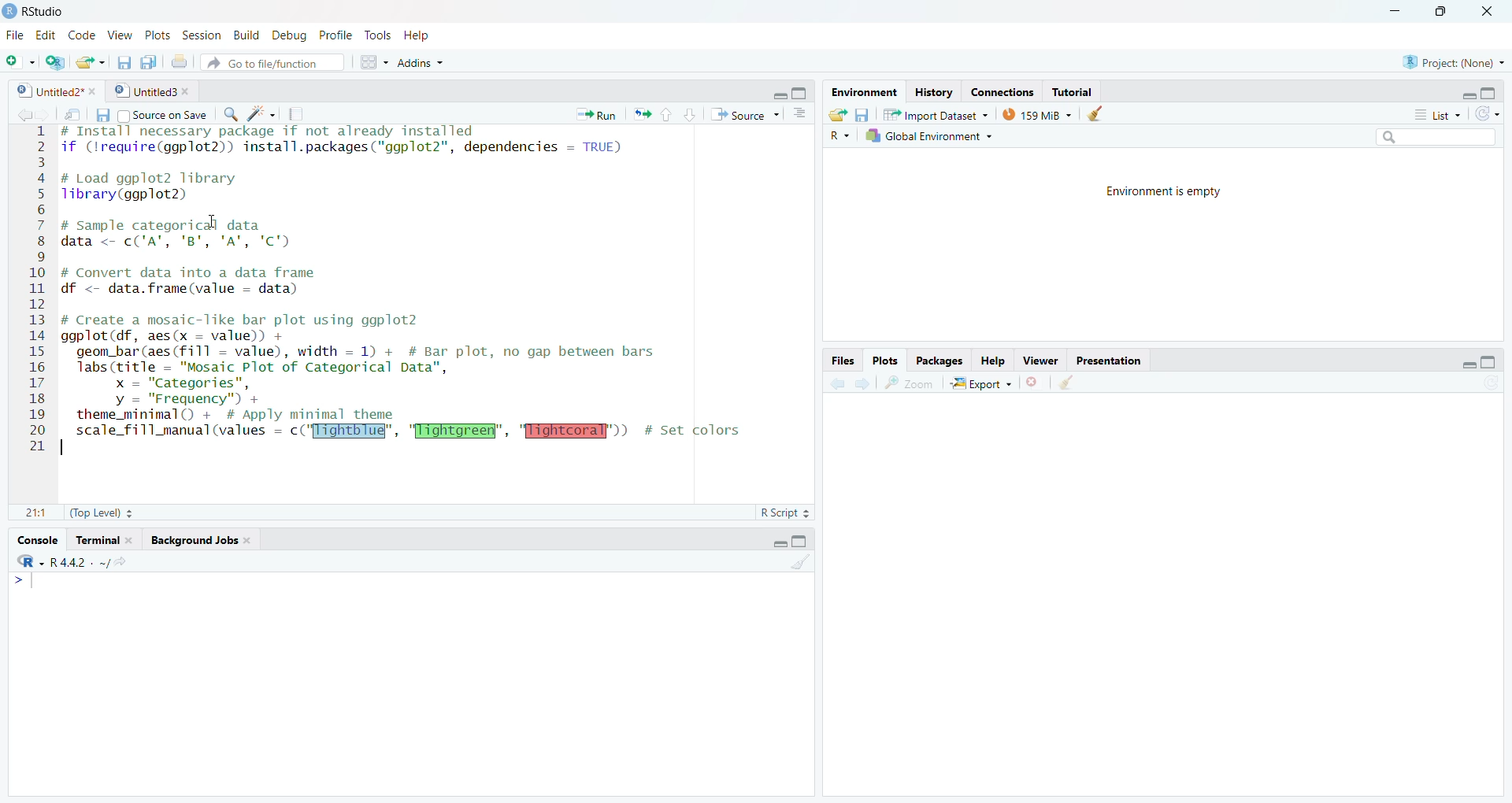 The height and width of the screenshot is (803, 1512). I want to click on Console, so click(37, 539).